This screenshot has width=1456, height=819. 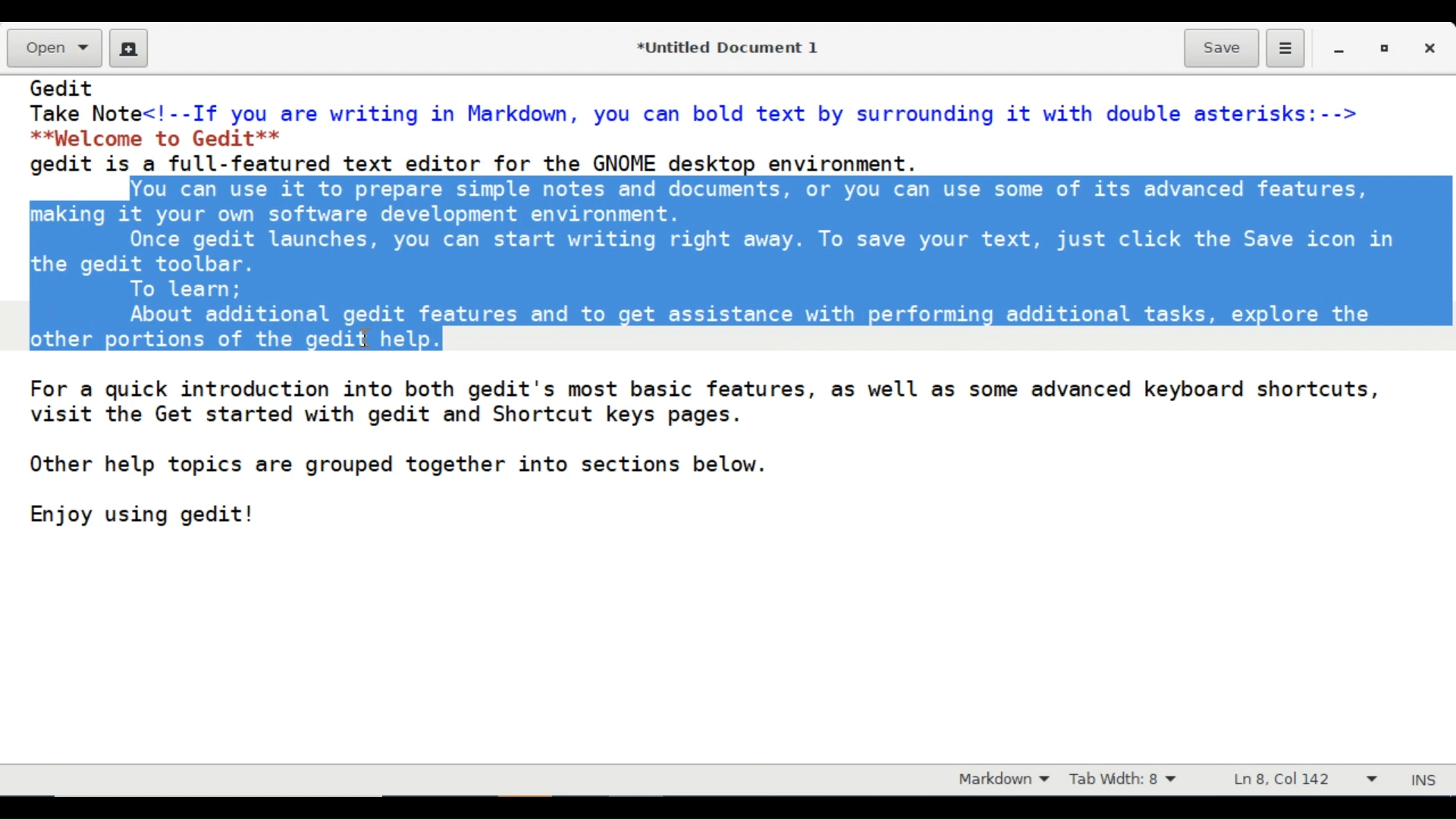 What do you see at coordinates (52, 49) in the screenshot?
I see `Open` at bounding box center [52, 49].